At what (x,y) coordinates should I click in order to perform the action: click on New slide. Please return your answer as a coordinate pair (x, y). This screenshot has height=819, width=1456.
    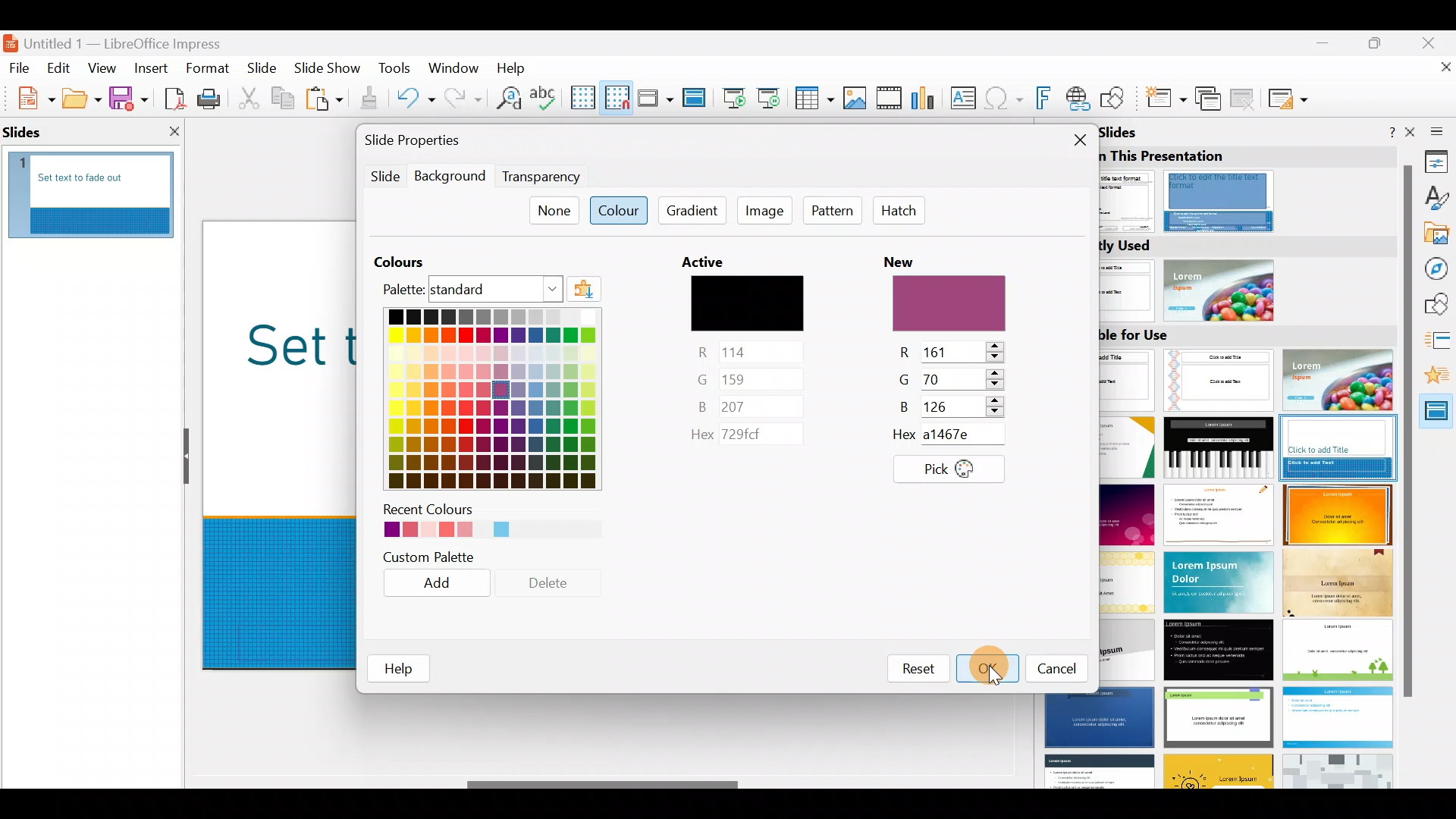
    Looking at the image, I should click on (1165, 102).